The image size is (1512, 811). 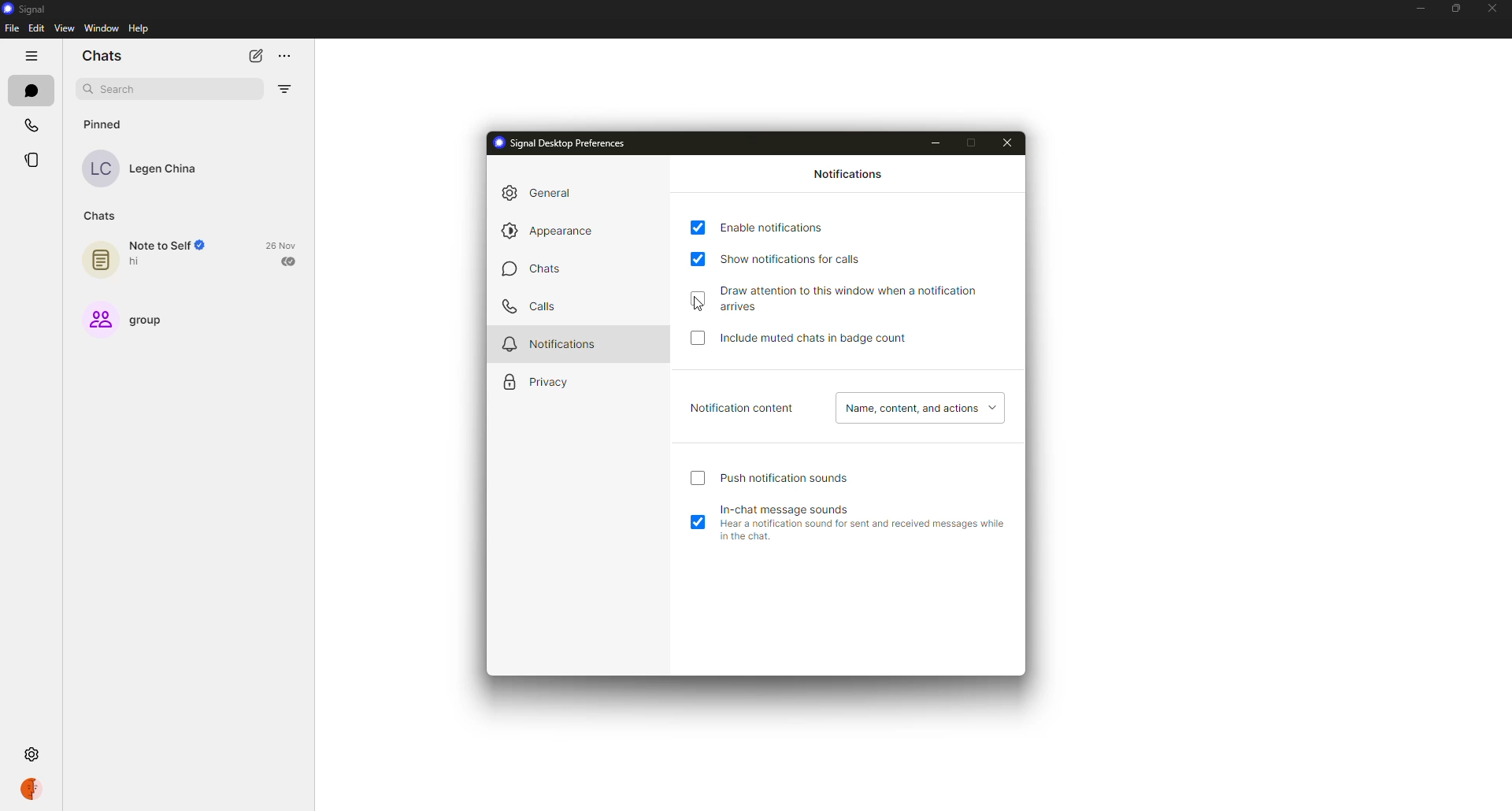 What do you see at coordinates (1007, 142) in the screenshot?
I see `close` at bounding box center [1007, 142].